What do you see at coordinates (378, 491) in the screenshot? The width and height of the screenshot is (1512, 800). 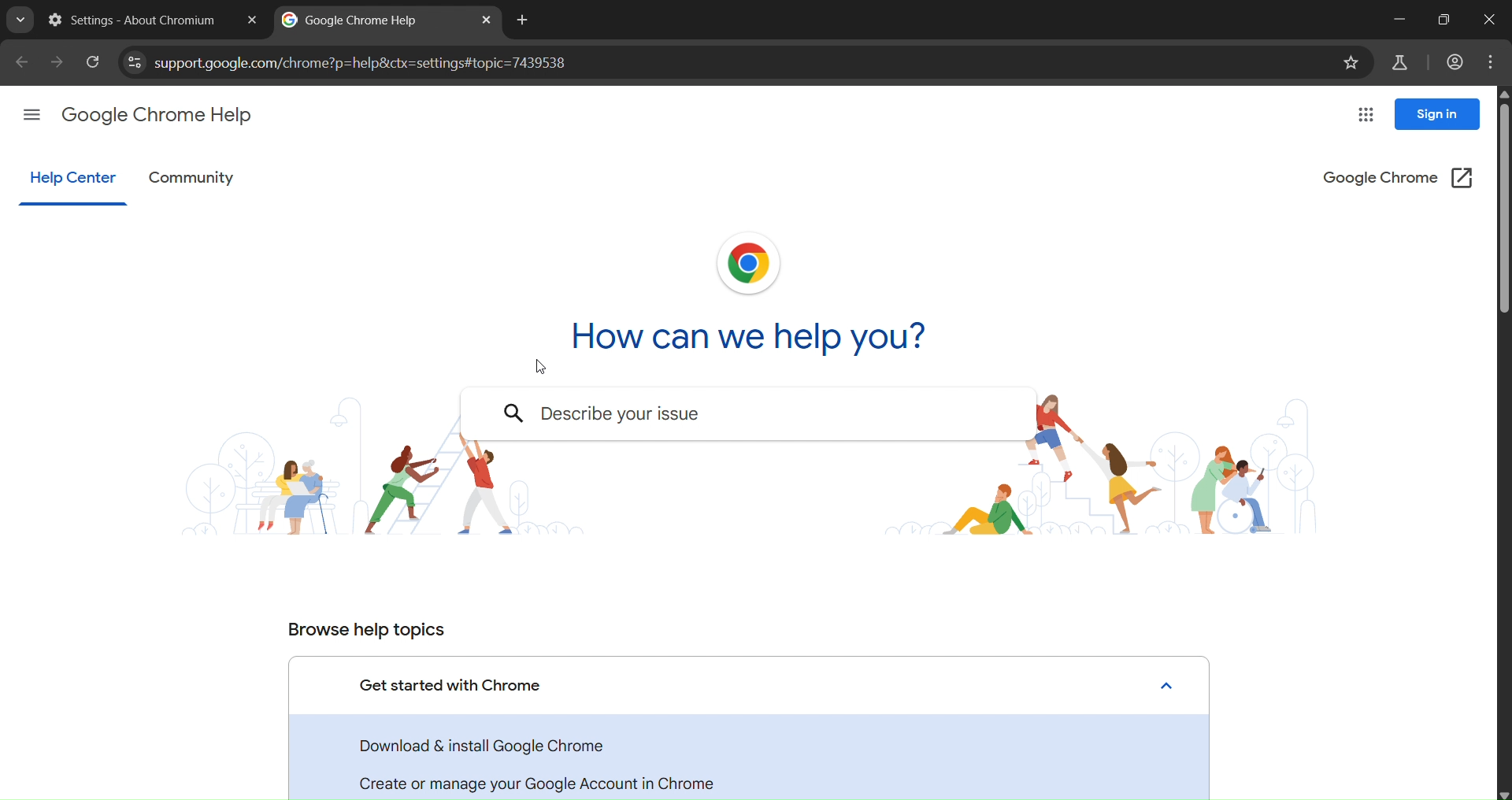 I see `image` at bounding box center [378, 491].